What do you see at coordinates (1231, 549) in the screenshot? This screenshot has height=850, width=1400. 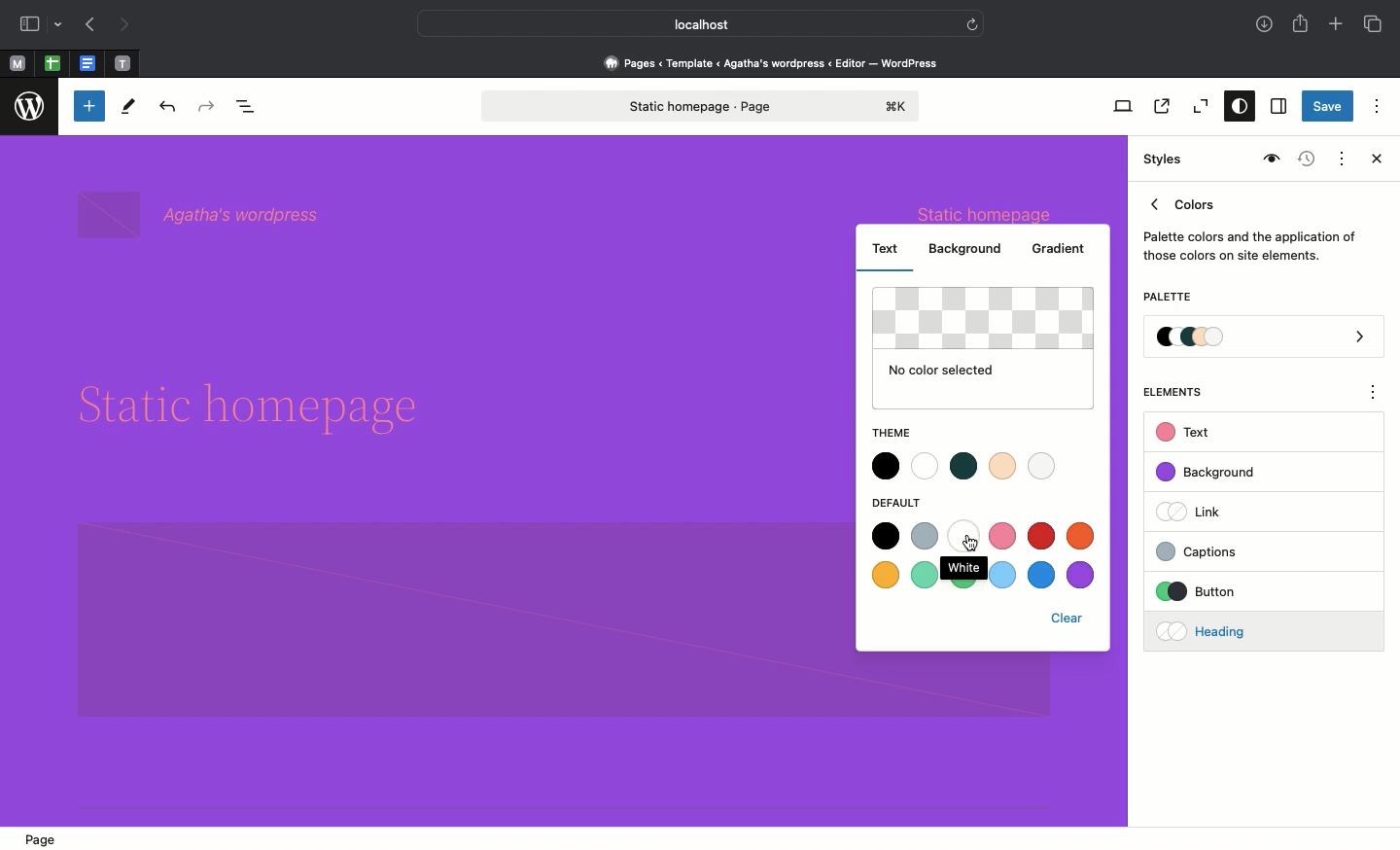 I see `captions` at bounding box center [1231, 549].